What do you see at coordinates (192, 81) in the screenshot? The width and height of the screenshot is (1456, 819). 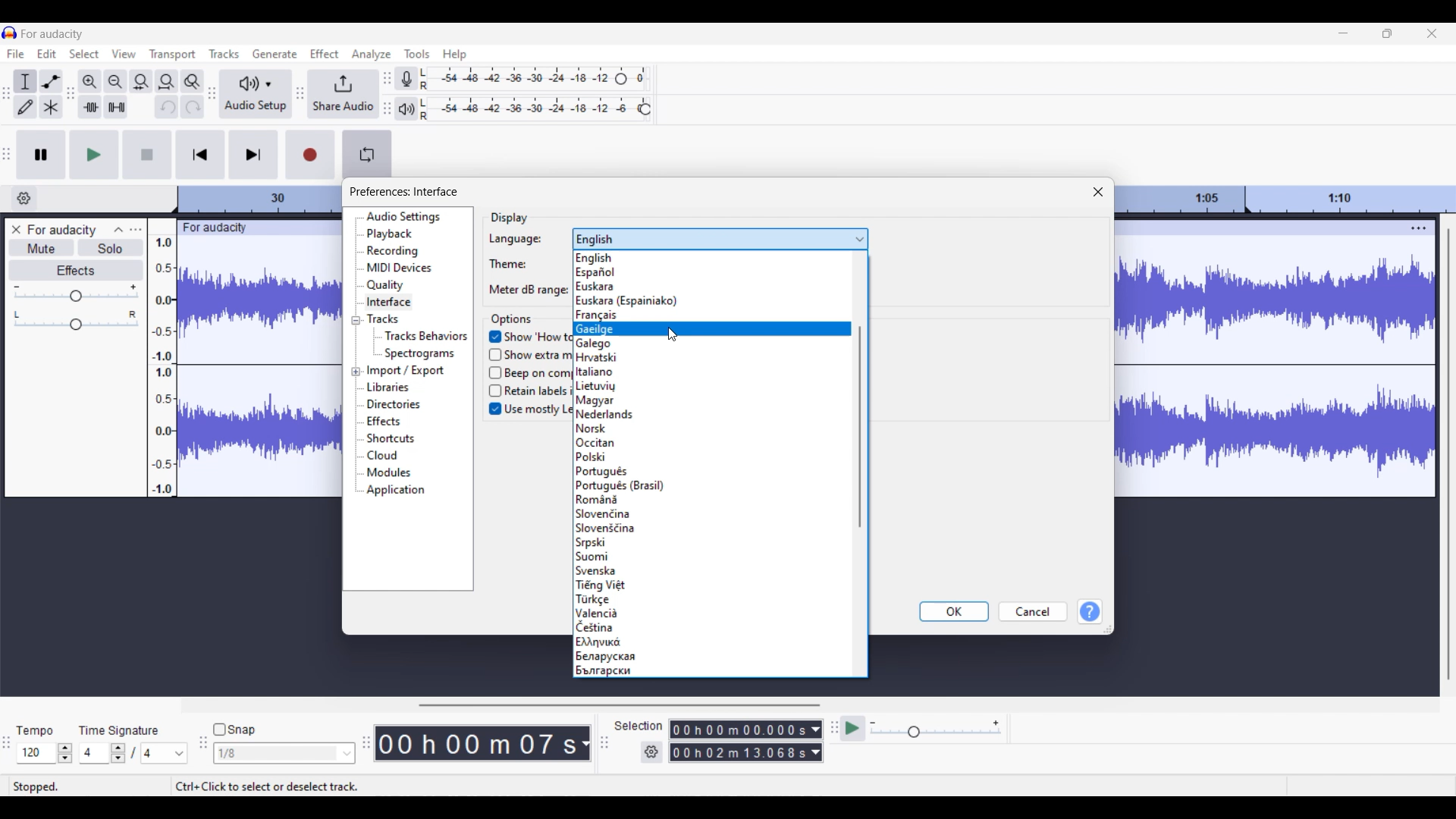 I see `Zoom toggle` at bounding box center [192, 81].